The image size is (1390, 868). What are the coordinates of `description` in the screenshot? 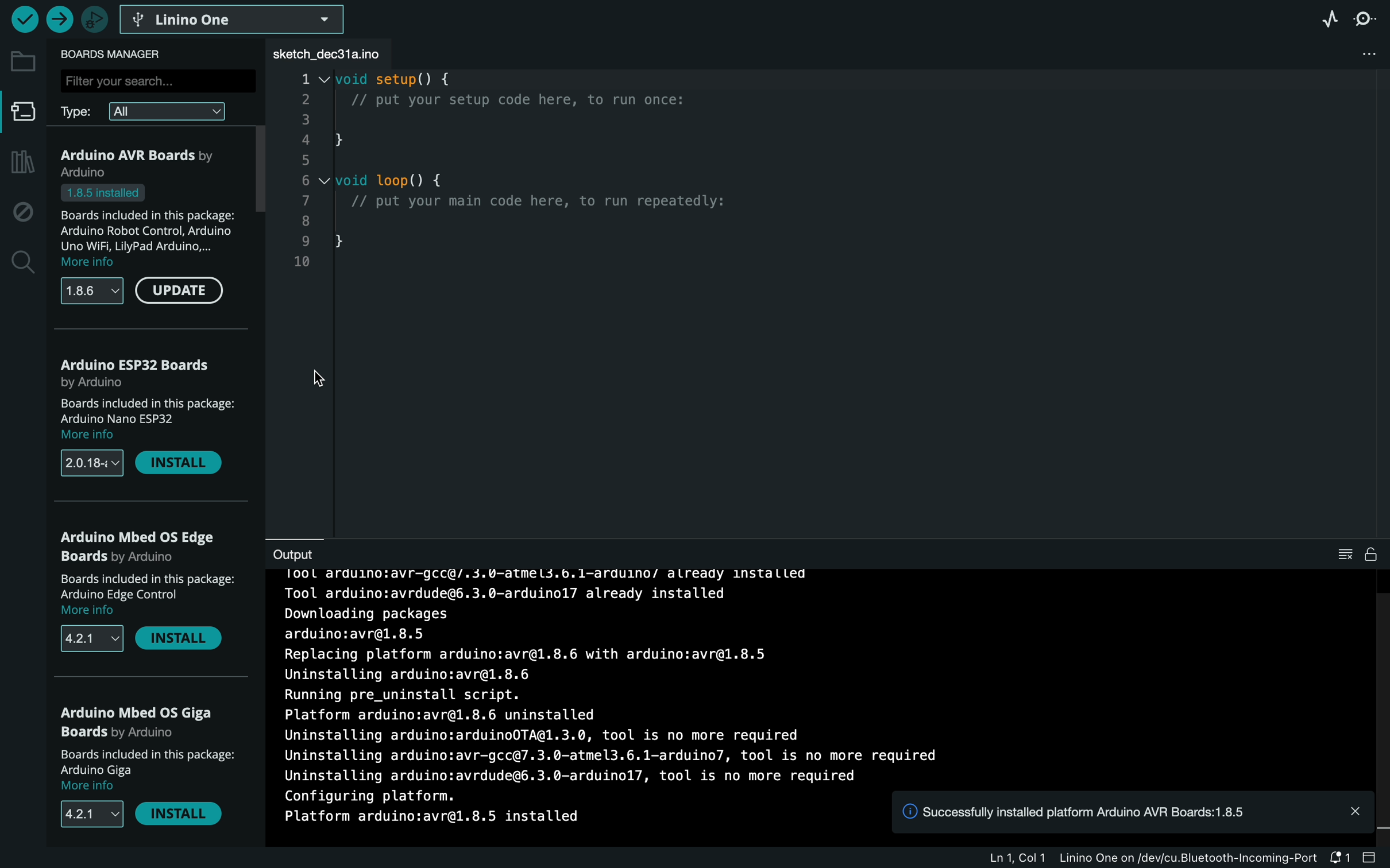 It's located at (153, 227).